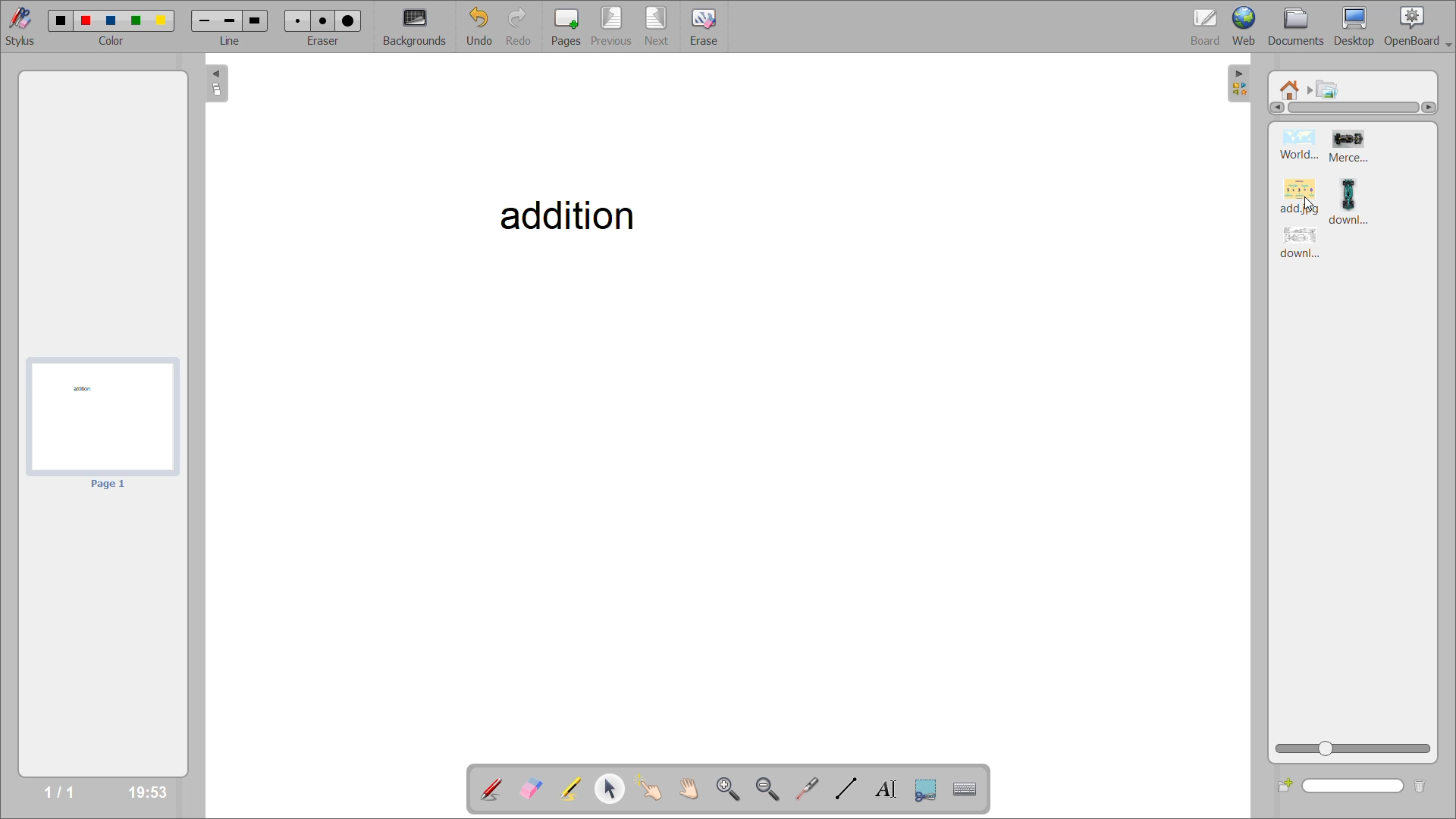 This screenshot has width=1456, height=819. What do you see at coordinates (1307, 206) in the screenshot?
I see `mouse down` at bounding box center [1307, 206].